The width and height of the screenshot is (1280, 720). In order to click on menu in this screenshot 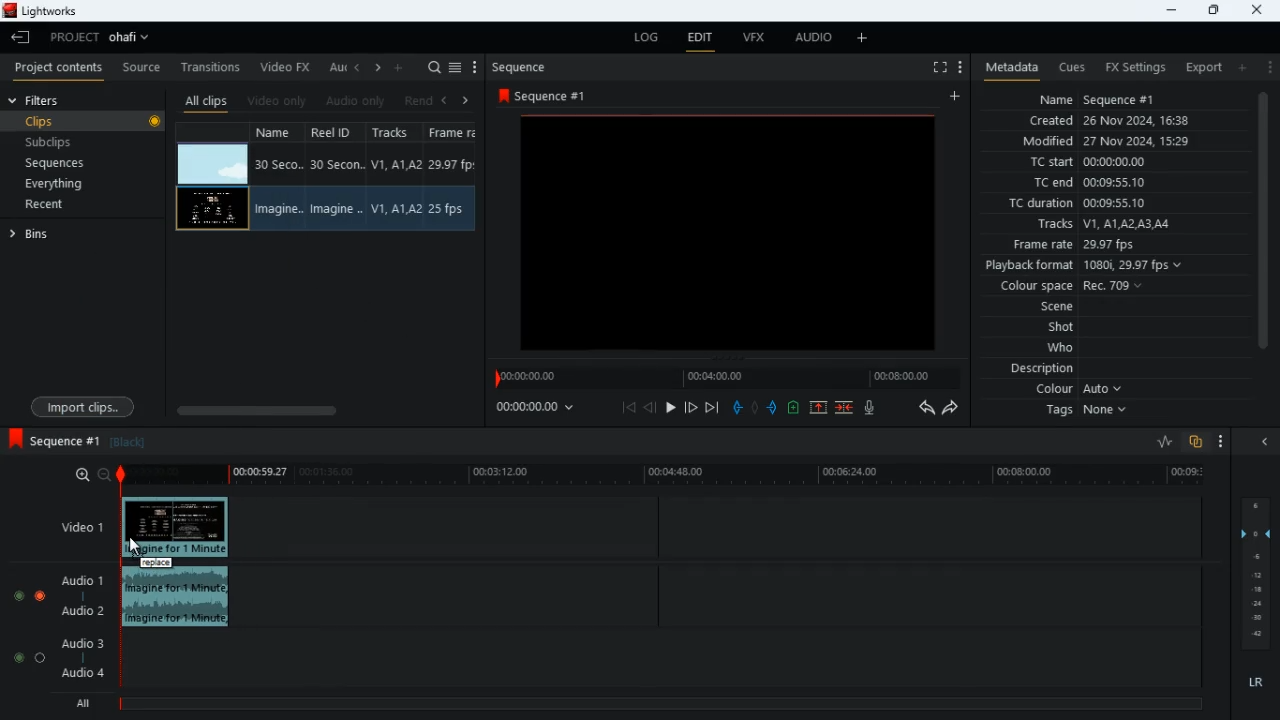, I will do `click(475, 68)`.